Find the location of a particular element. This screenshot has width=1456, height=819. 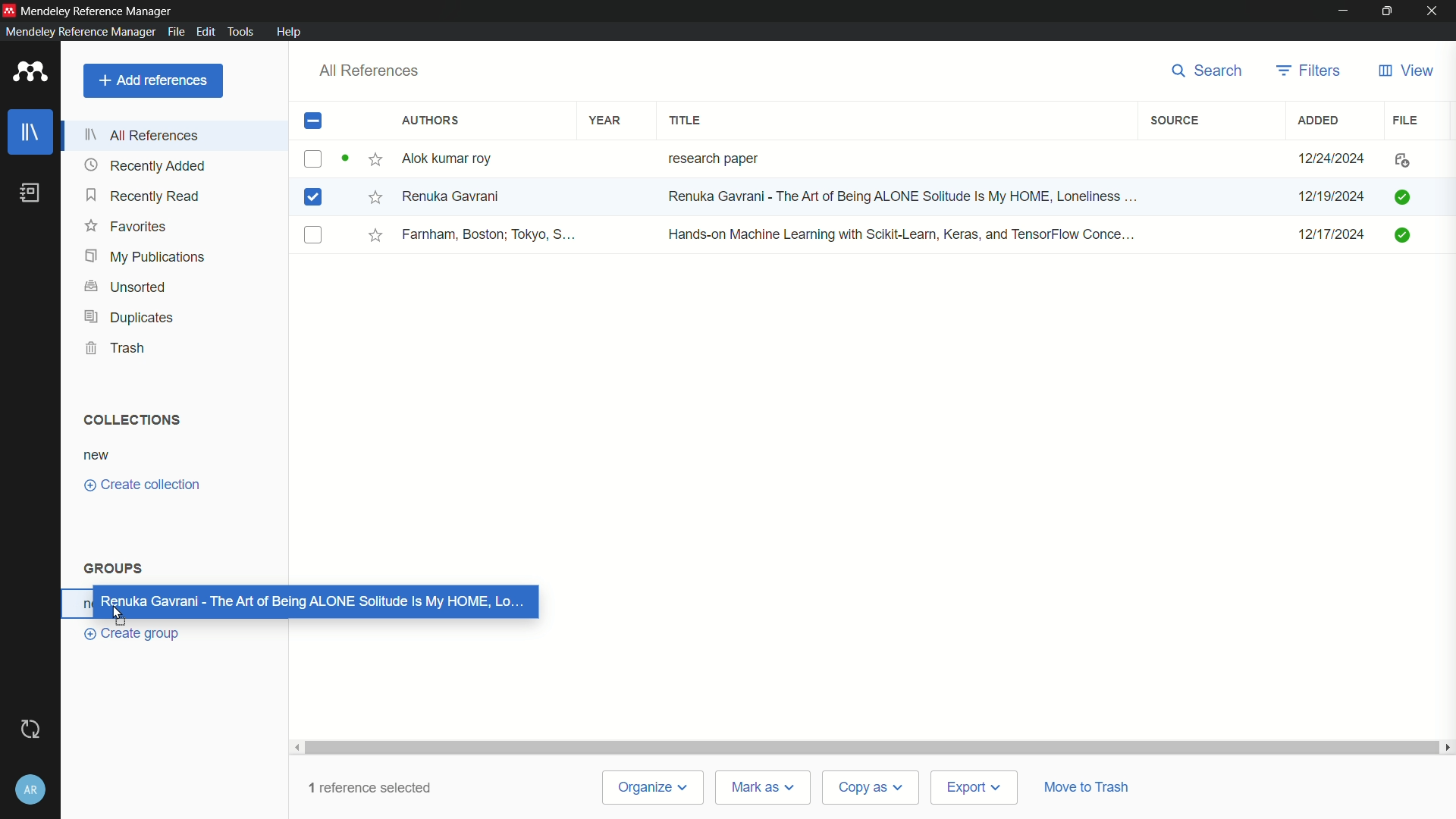

account and help is located at coordinates (30, 790).